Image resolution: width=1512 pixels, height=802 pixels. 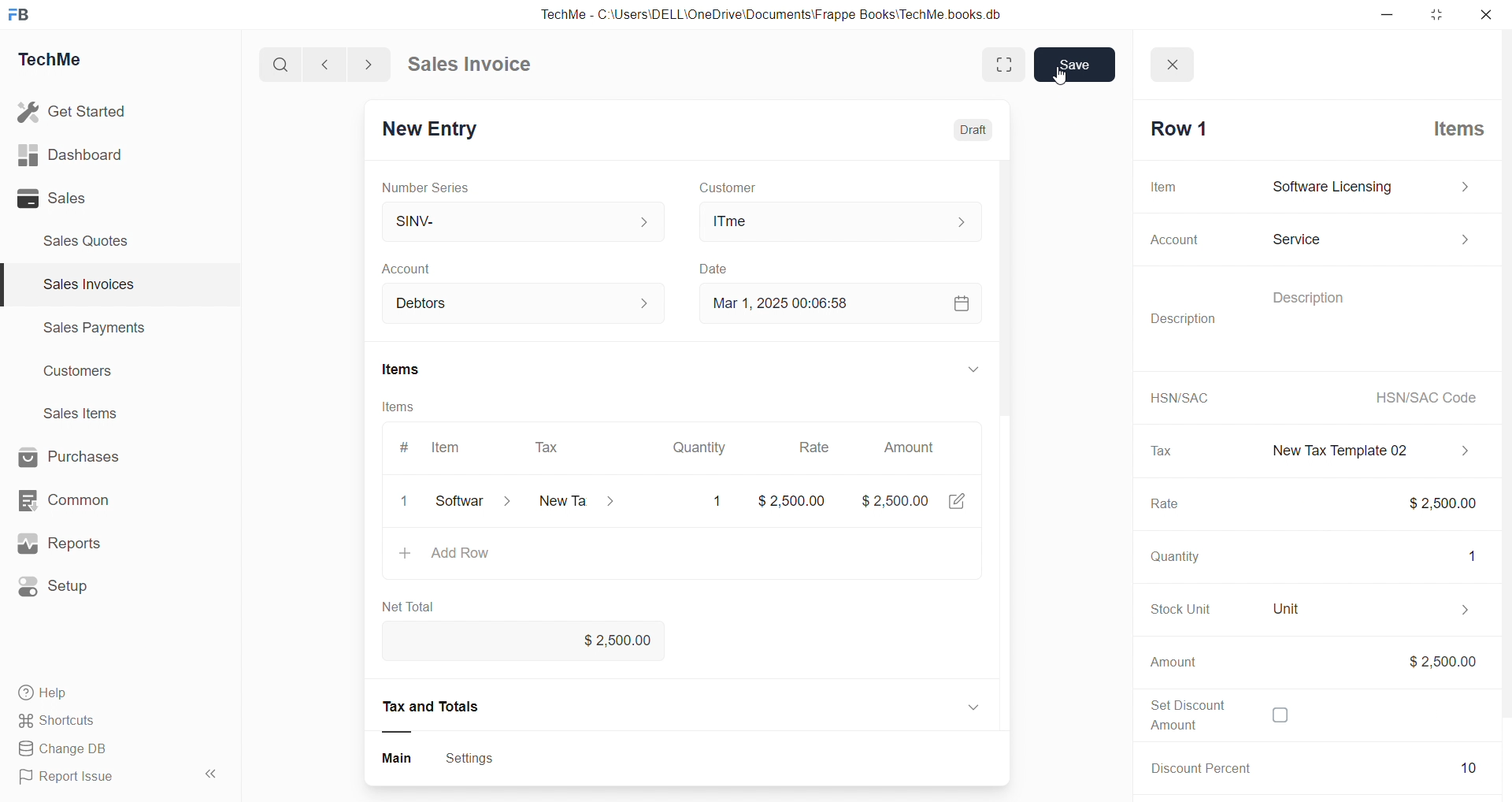 What do you see at coordinates (1171, 609) in the screenshot?
I see `Stock Unit` at bounding box center [1171, 609].